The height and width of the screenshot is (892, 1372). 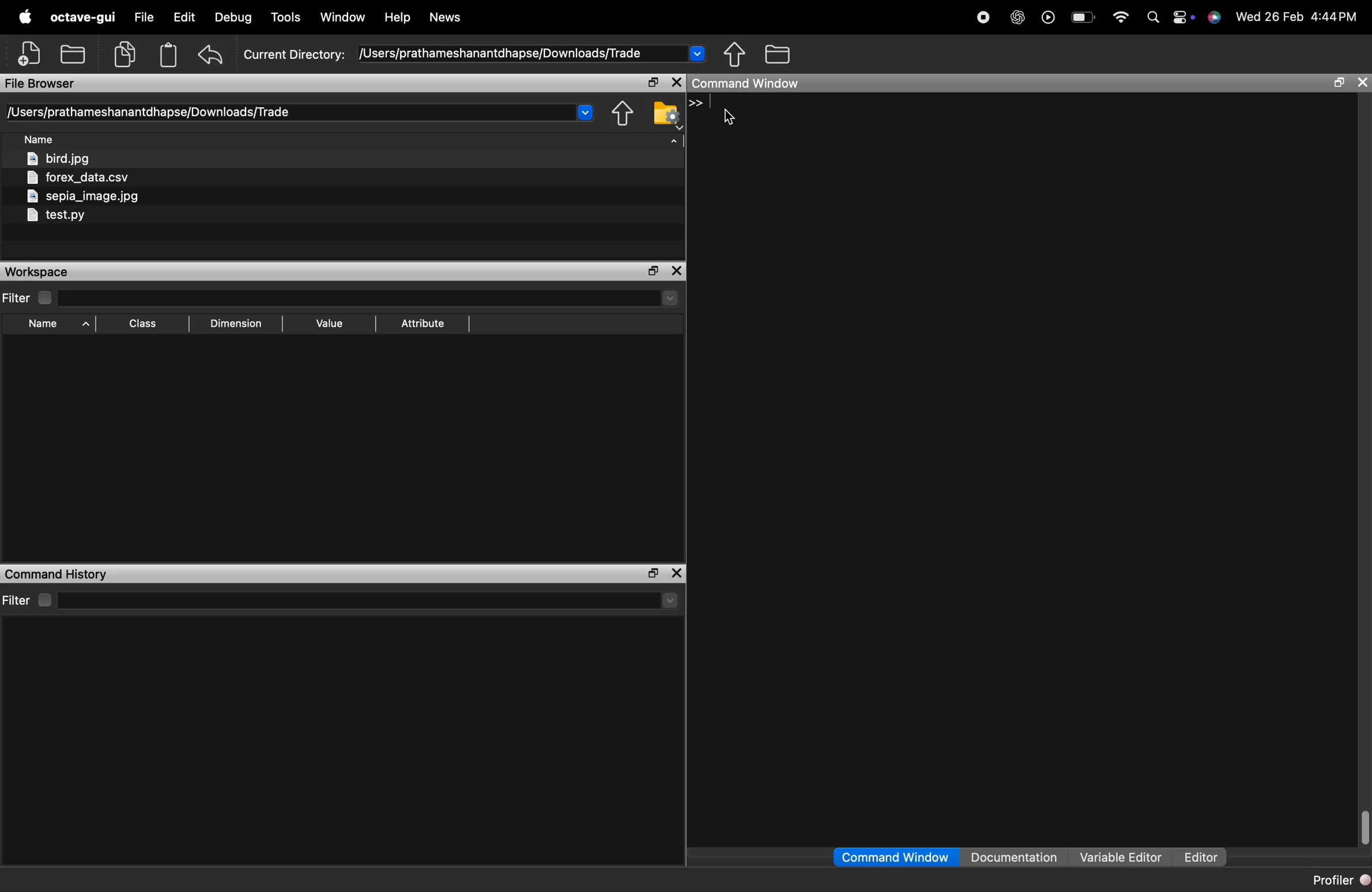 What do you see at coordinates (397, 14) in the screenshot?
I see `Help` at bounding box center [397, 14].